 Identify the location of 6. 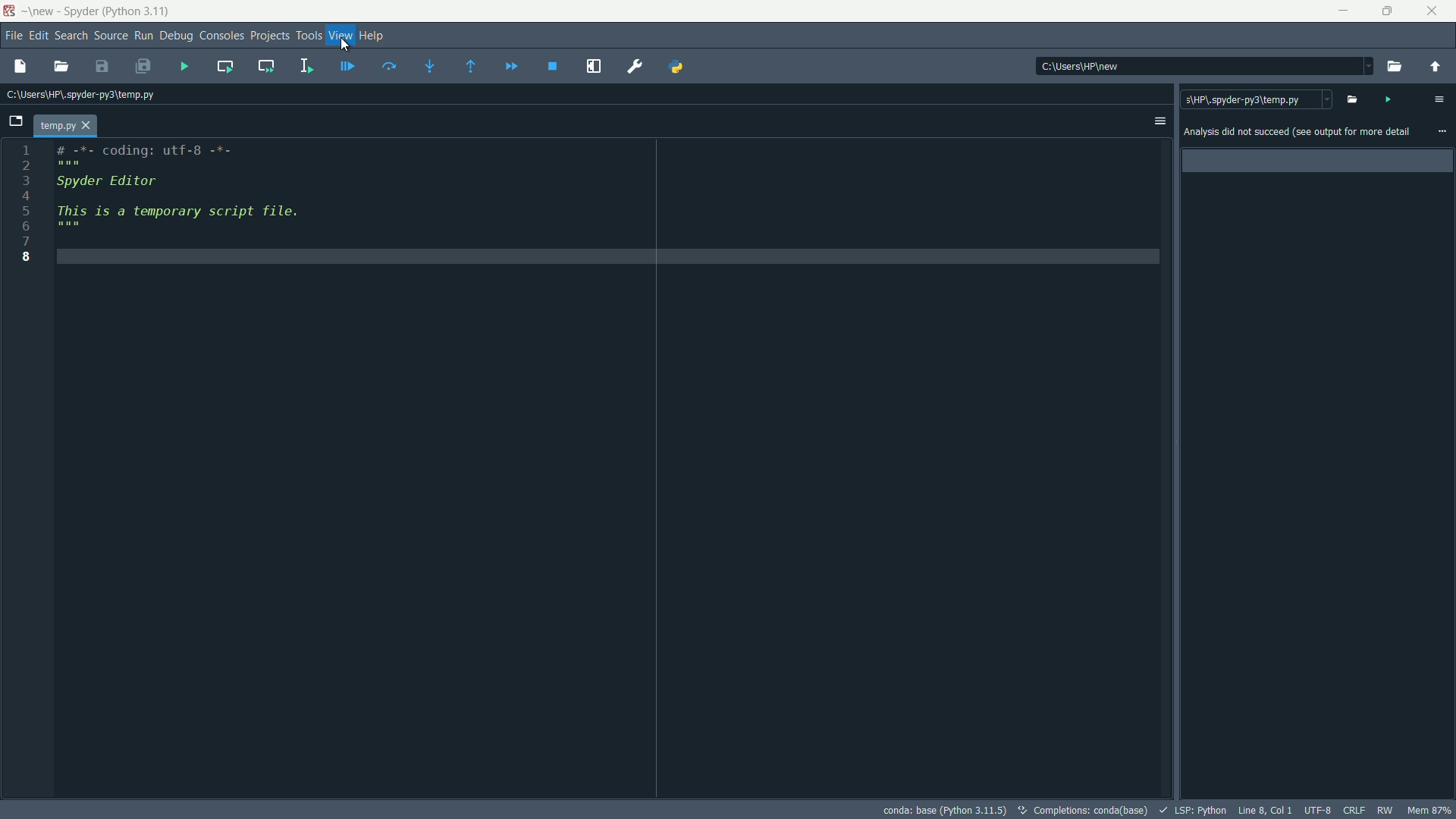
(29, 226).